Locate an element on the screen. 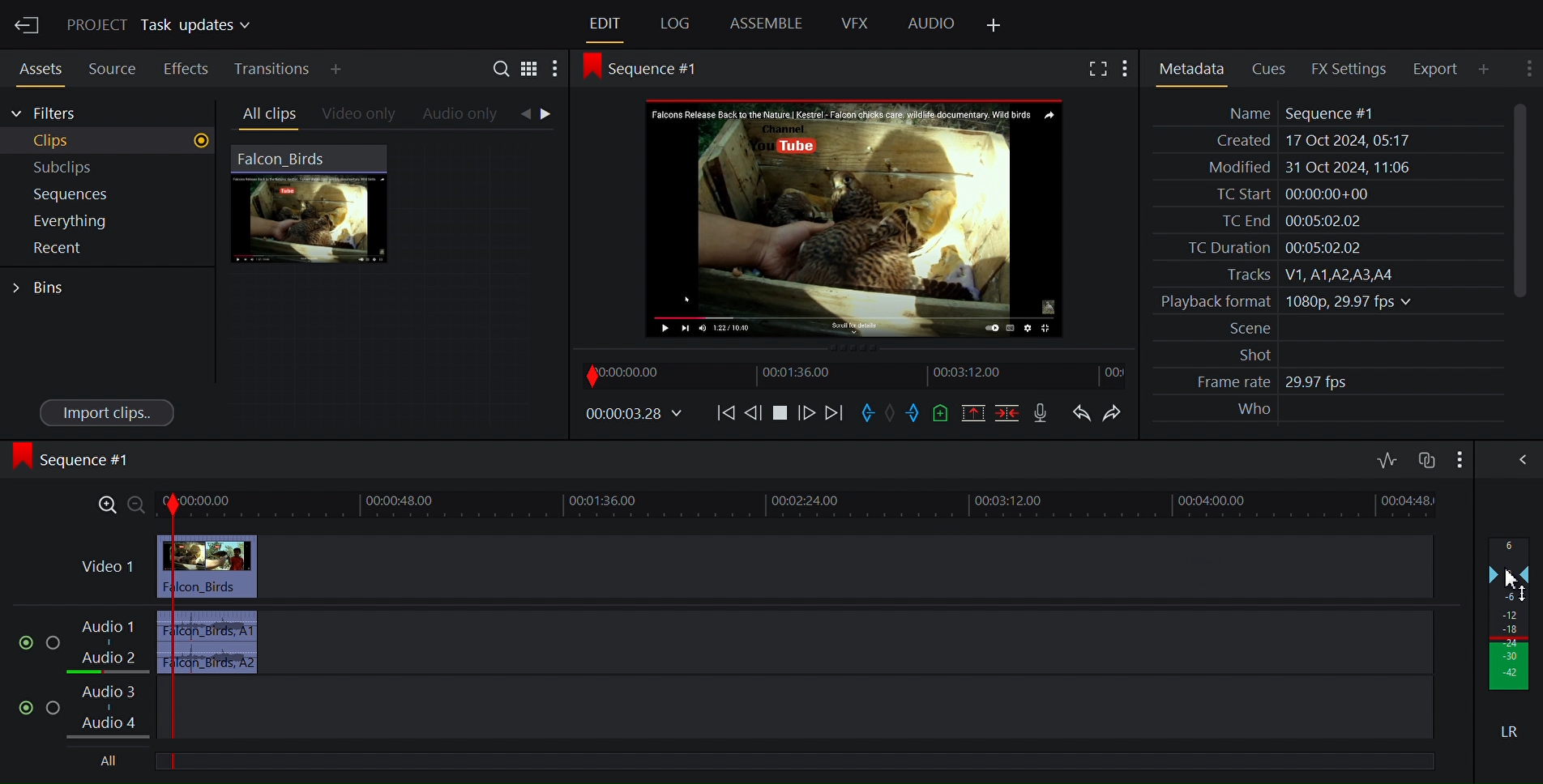 This screenshot has width=1543, height=784. Solo this track is located at coordinates (53, 638).